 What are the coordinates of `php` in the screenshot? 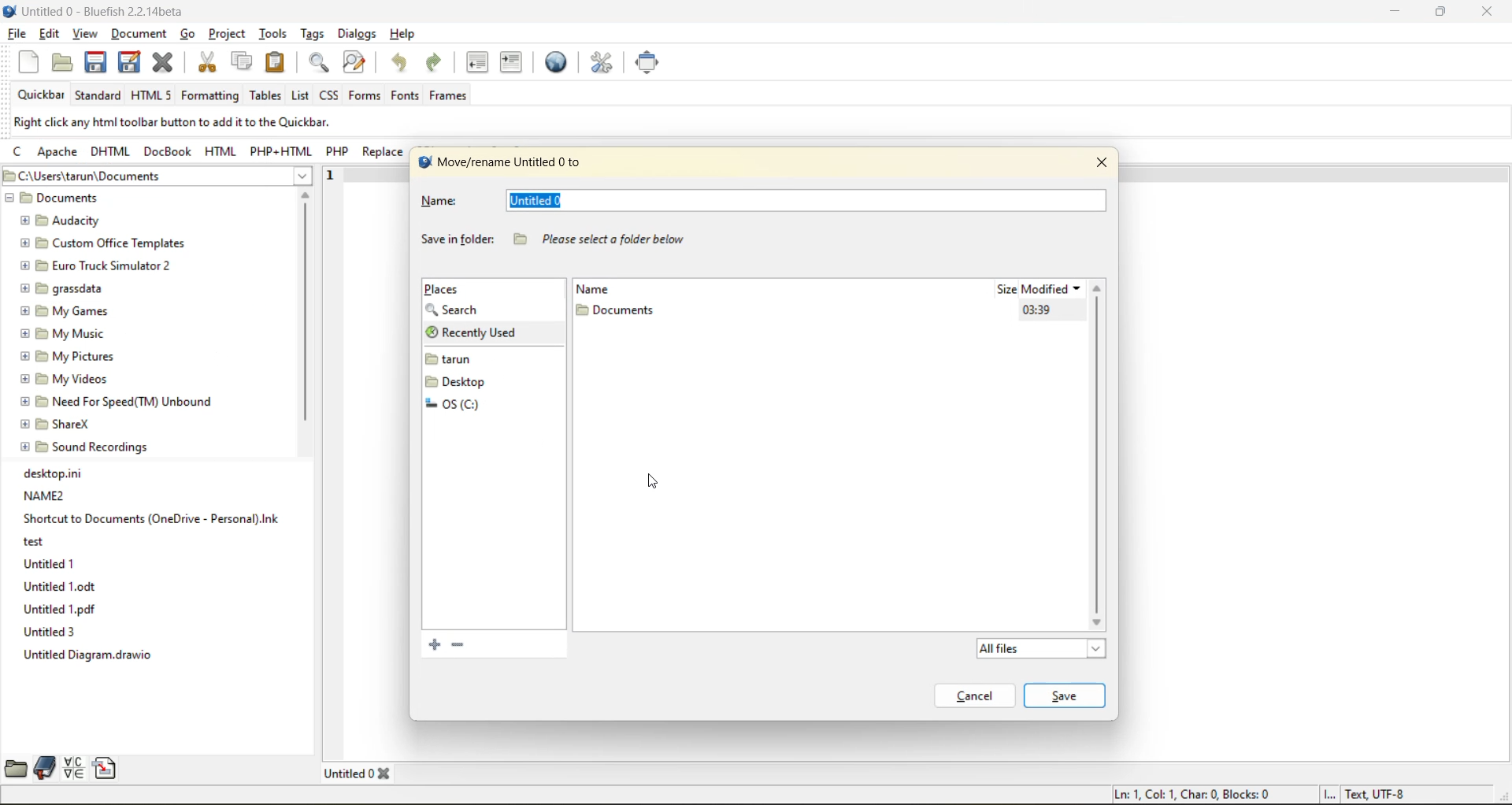 It's located at (341, 154).